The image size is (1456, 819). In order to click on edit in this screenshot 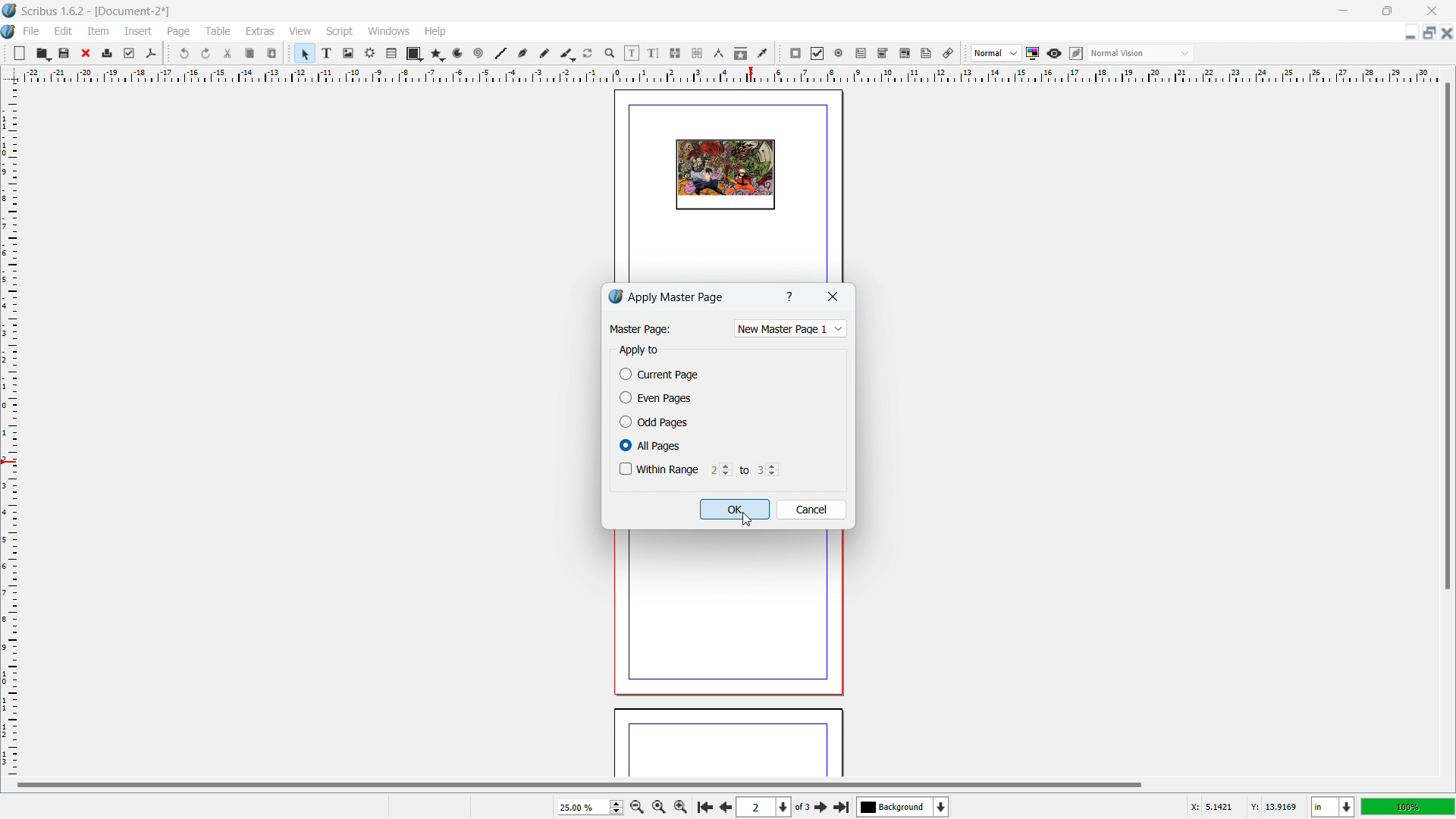, I will do `click(64, 31)`.